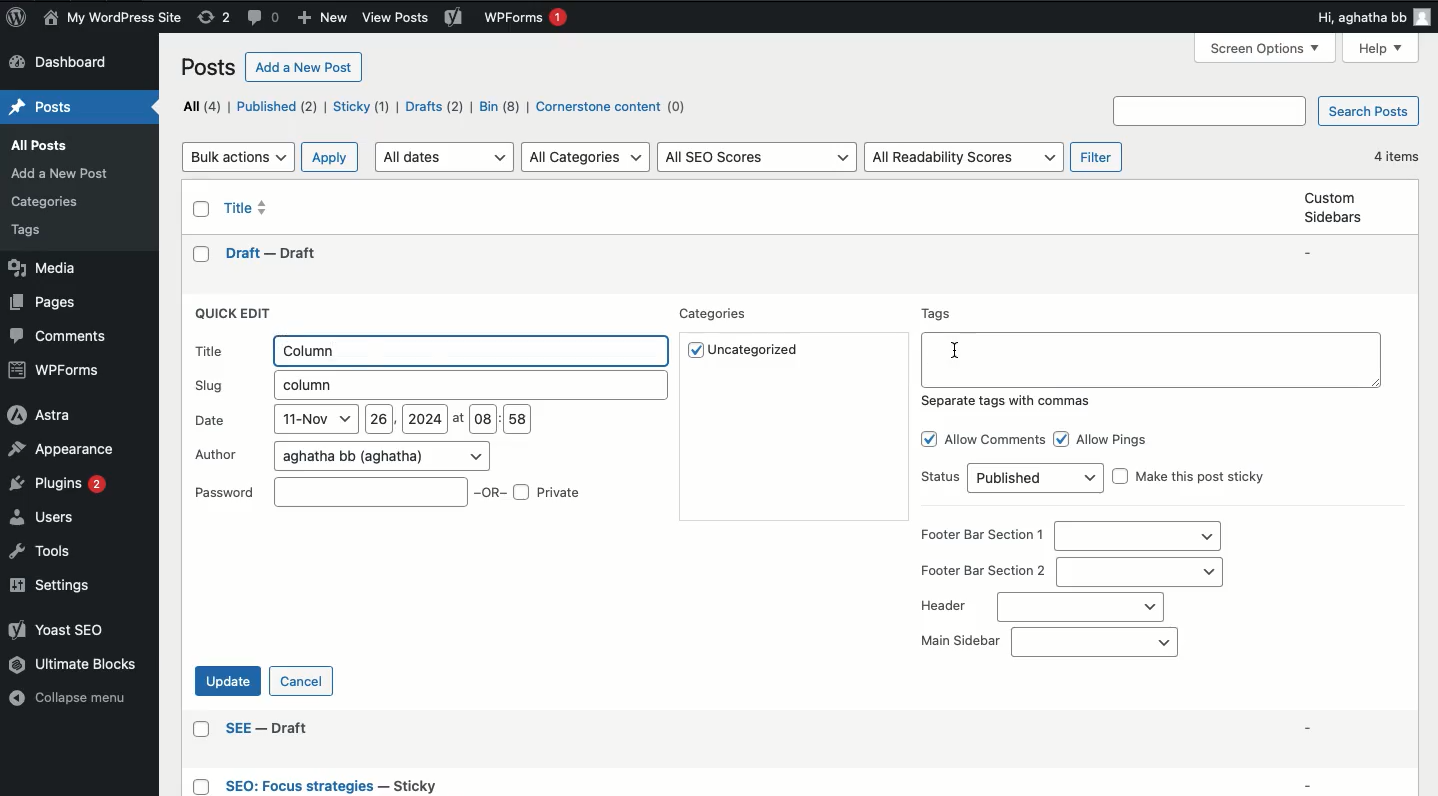 This screenshot has height=796, width=1438. Describe the element at coordinates (394, 19) in the screenshot. I see `` at that location.